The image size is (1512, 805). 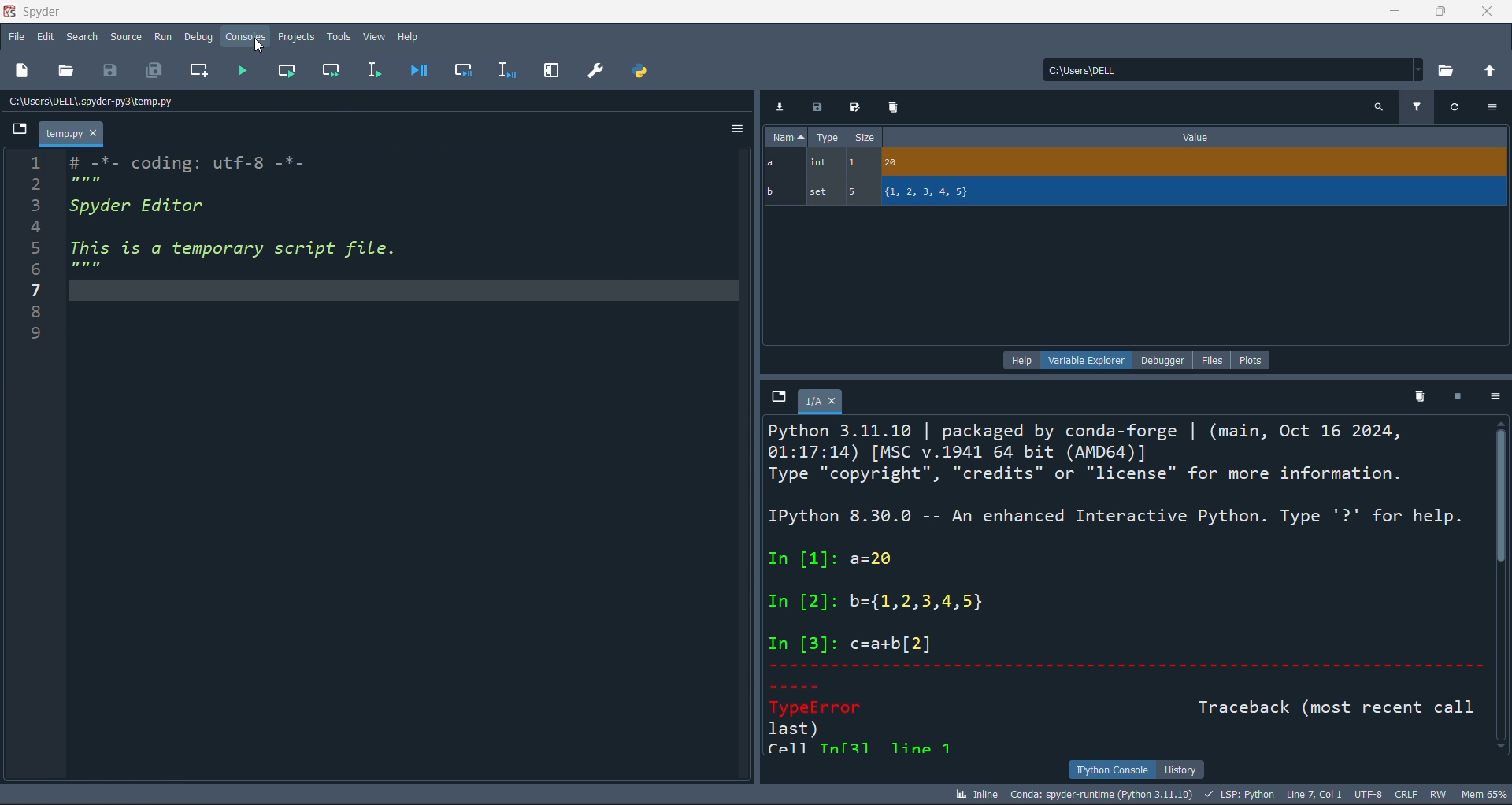 I want to click on stop kernel, so click(x=1458, y=399).